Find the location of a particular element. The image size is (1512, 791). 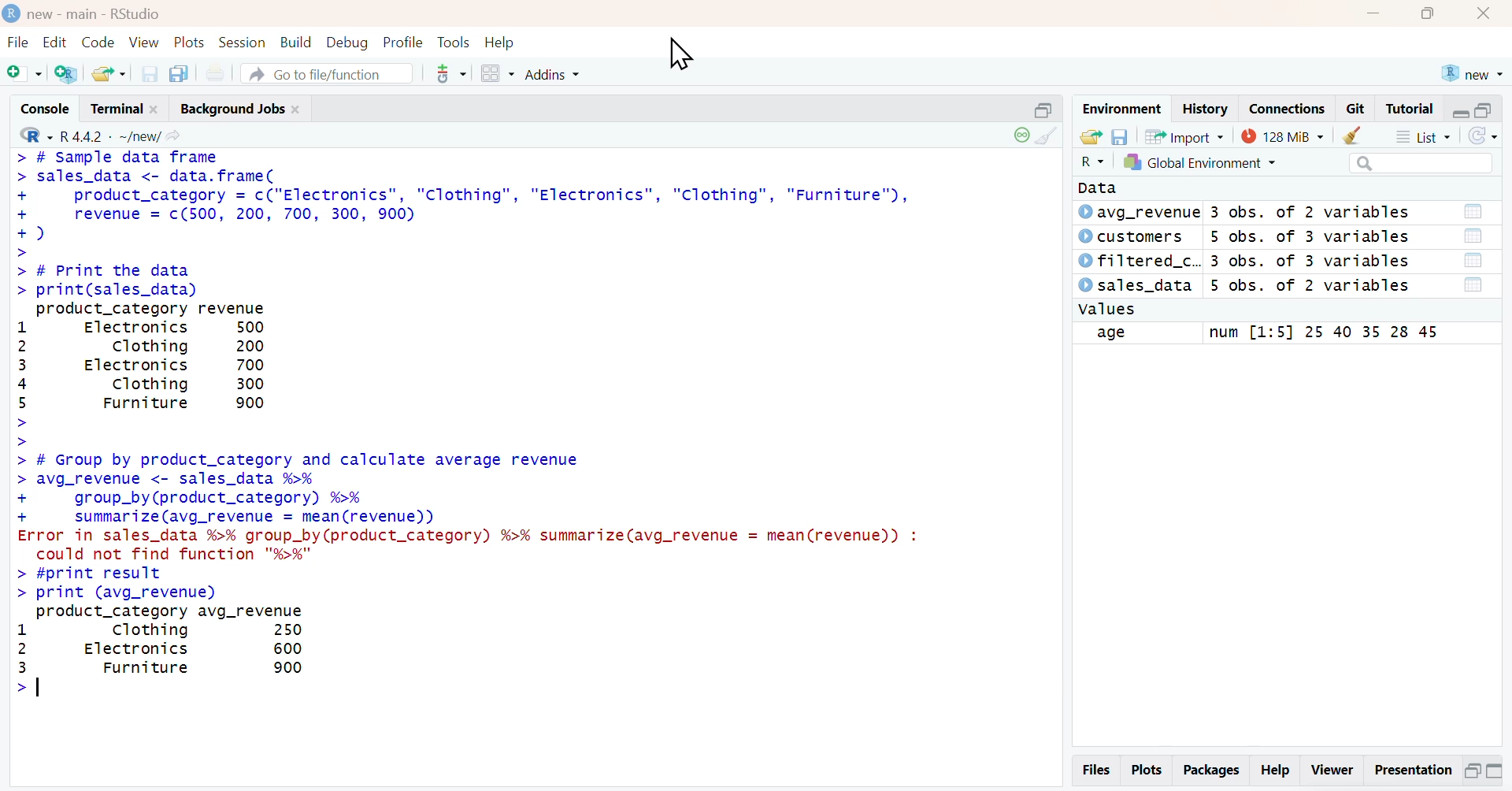

Plots is located at coordinates (190, 42).